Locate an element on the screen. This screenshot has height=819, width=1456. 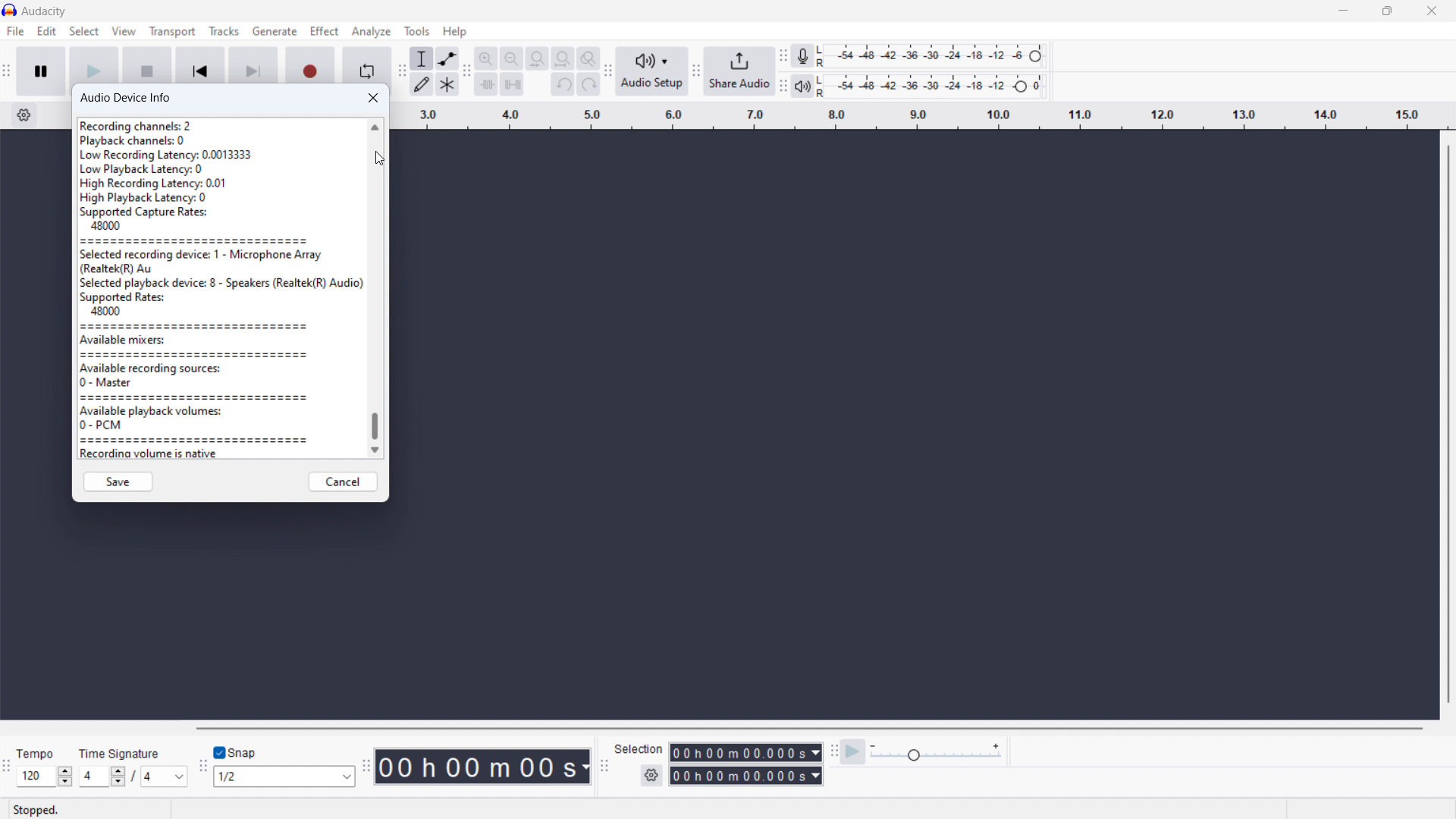
generate is located at coordinates (275, 31).